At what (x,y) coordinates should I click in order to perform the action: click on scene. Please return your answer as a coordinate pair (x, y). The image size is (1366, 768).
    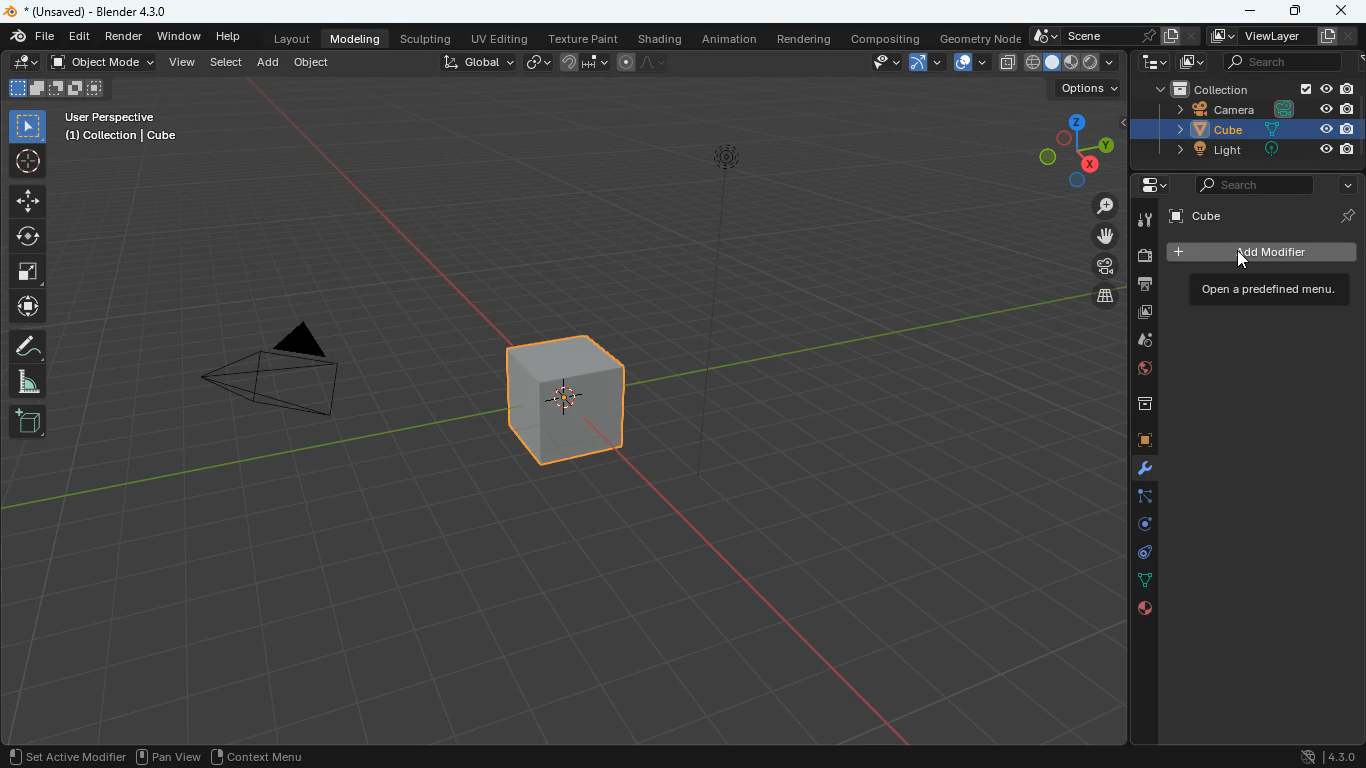
    Looking at the image, I should click on (1113, 37).